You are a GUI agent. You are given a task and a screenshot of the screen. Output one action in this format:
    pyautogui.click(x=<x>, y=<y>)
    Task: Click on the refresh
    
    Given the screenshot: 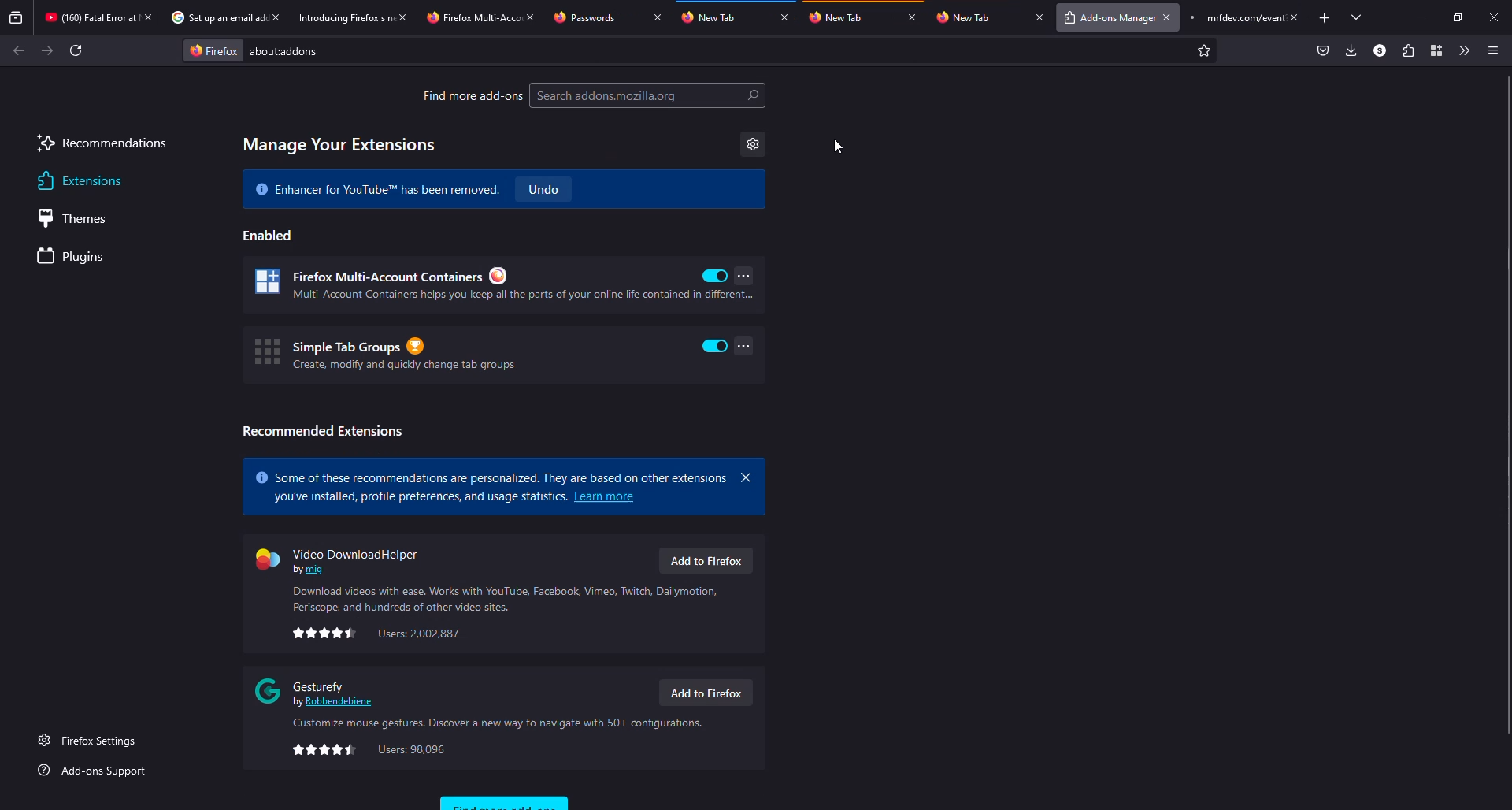 What is the action you would take?
    pyautogui.click(x=76, y=50)
    